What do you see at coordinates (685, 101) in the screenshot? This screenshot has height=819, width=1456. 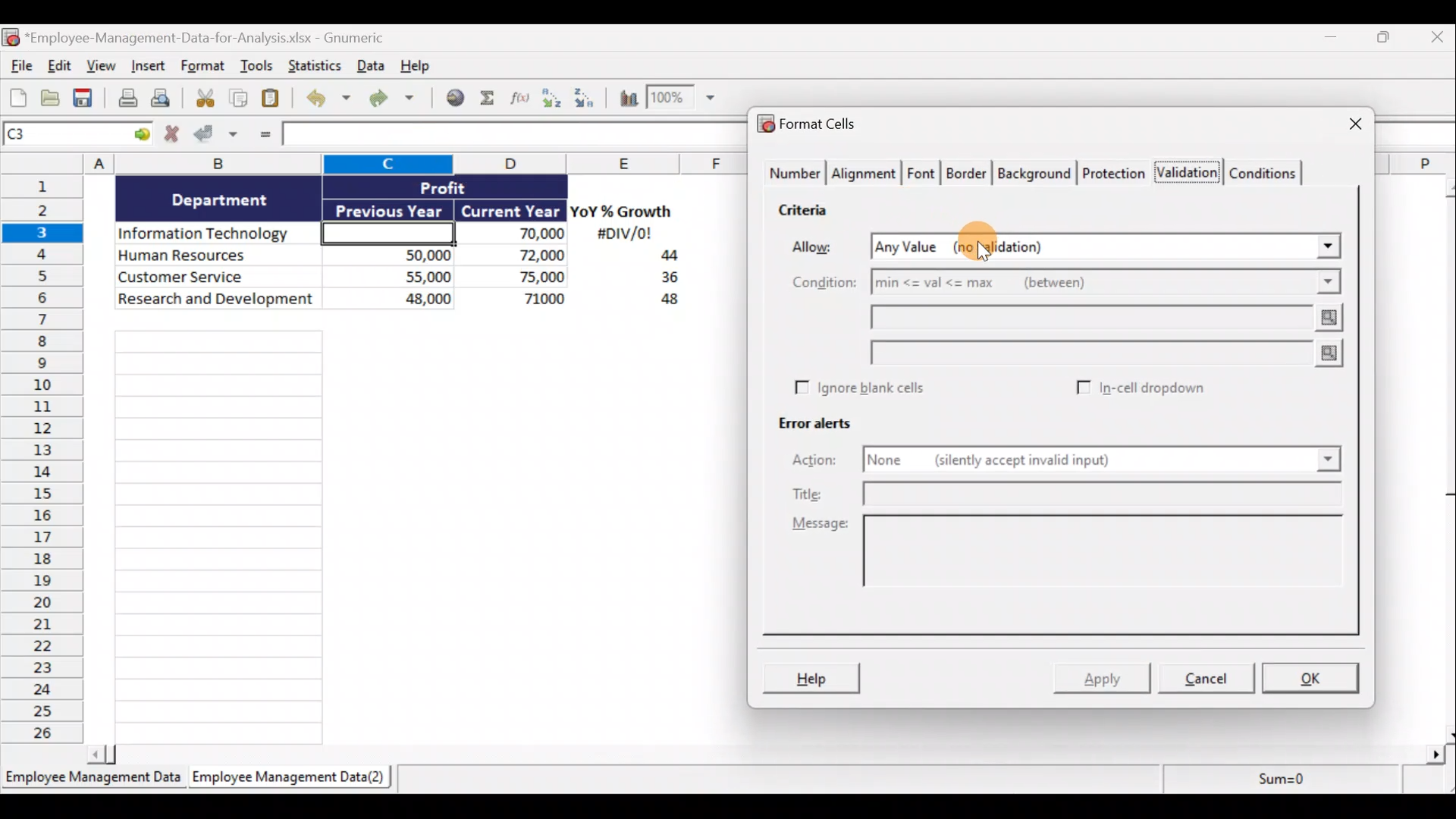 I see `Zoom` at bounding box center [685, 101].